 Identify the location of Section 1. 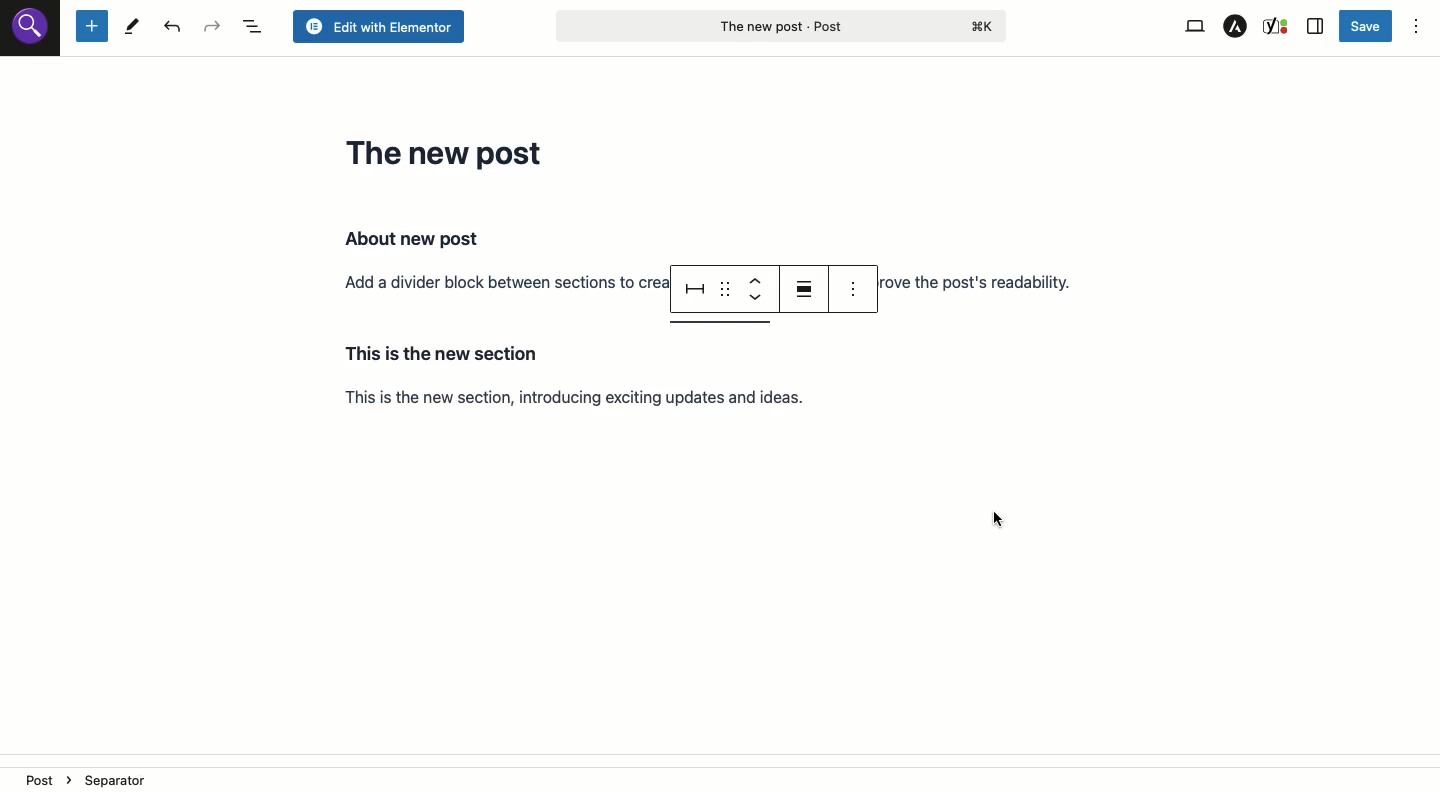
(988, 282).